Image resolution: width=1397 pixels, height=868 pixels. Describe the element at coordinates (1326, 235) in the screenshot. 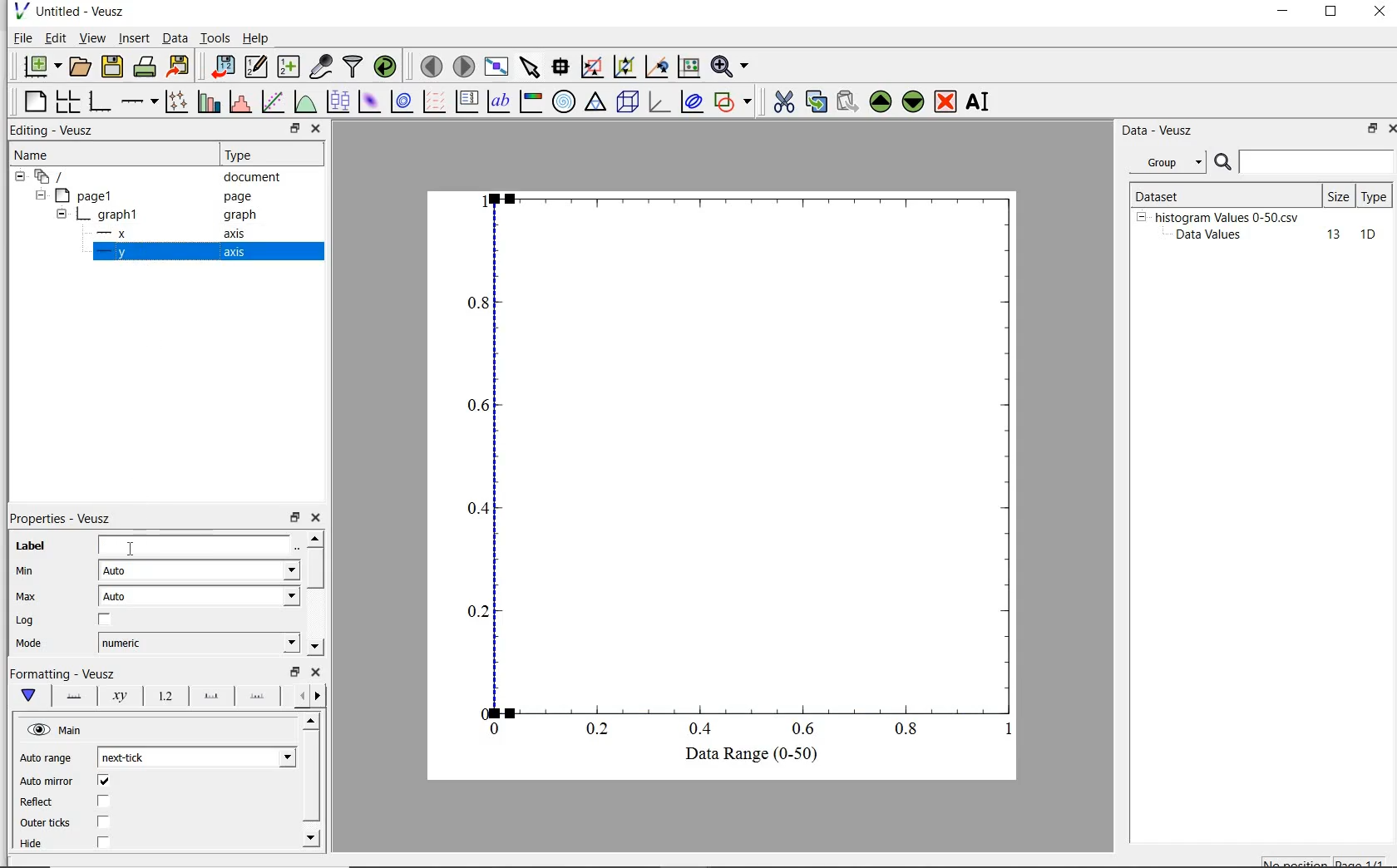

I see `13` at that location.